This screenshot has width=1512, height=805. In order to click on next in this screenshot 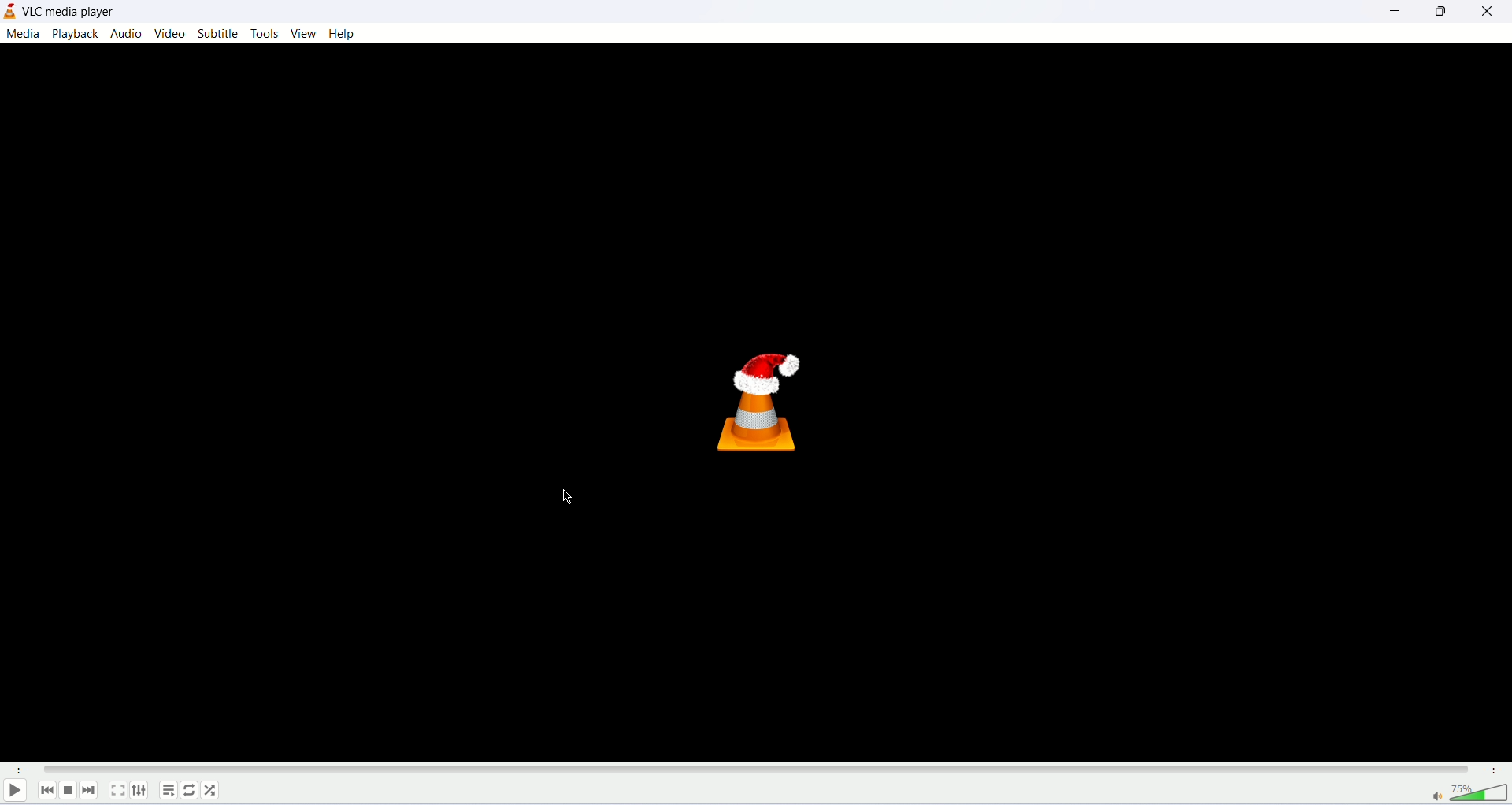, I will do `click(88, 790)`.